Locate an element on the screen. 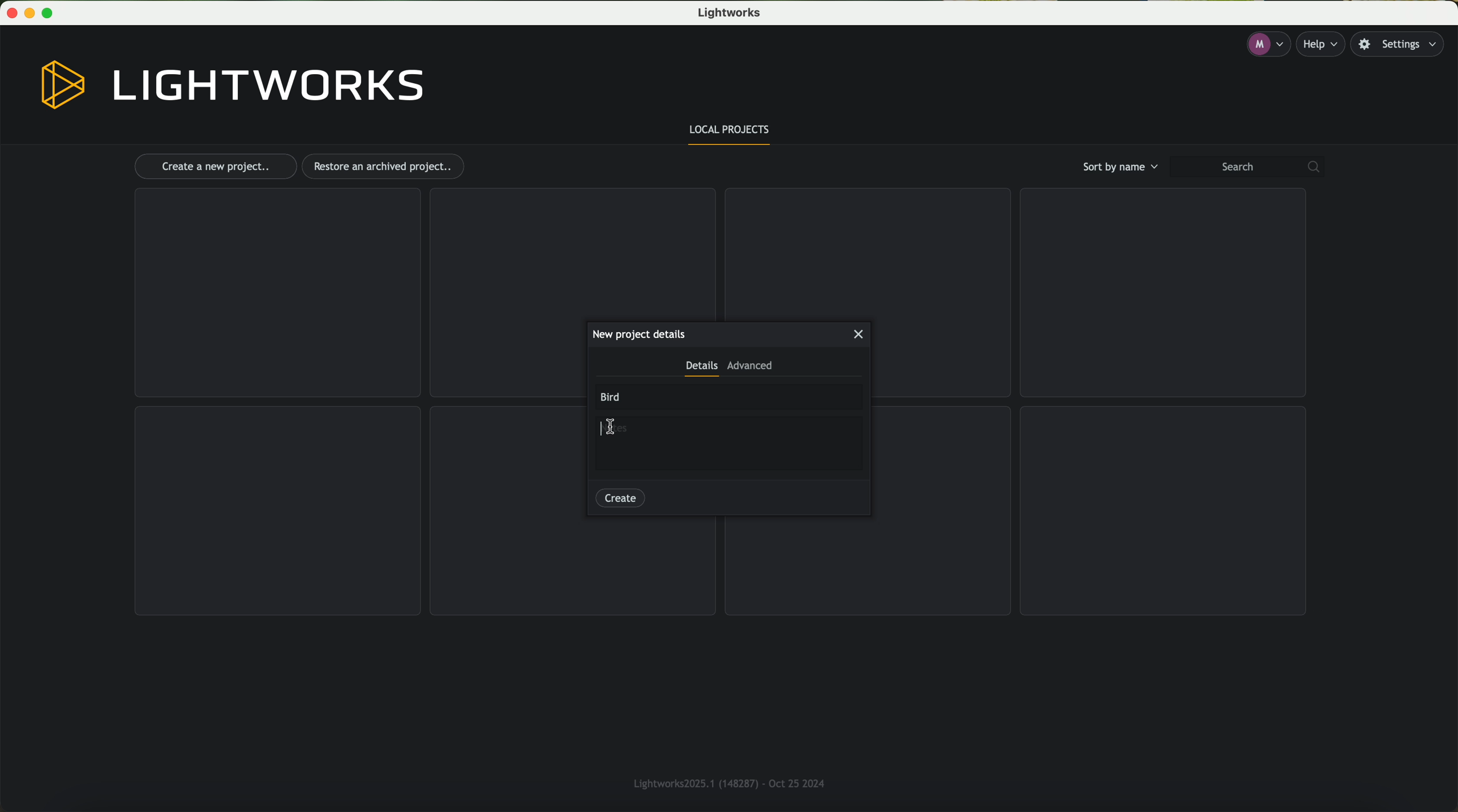 Image resolution: width=1458 pixels, height=812 pixels. maximize is located at coordinates (52, 13).